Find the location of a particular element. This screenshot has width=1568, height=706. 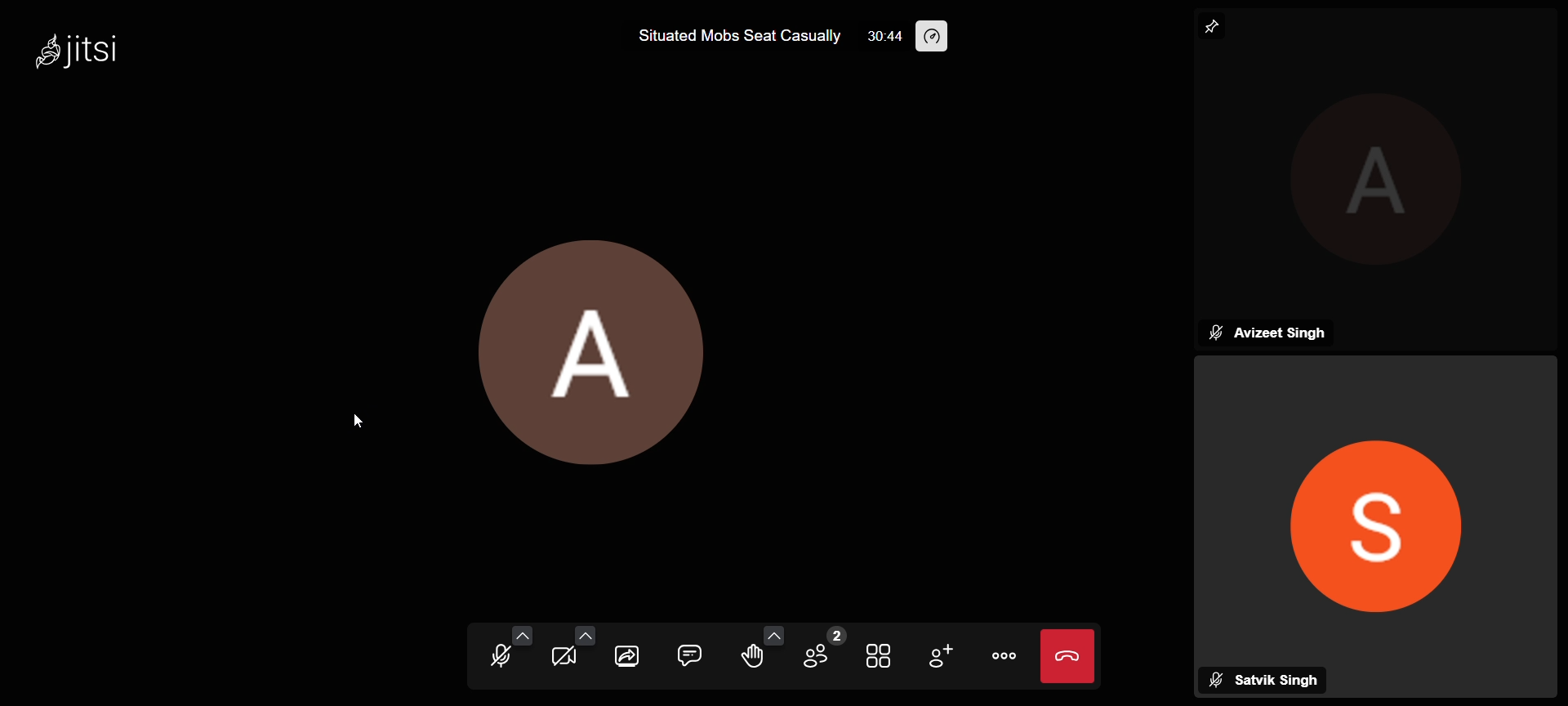

tile view is located at coordinates (876, 658).